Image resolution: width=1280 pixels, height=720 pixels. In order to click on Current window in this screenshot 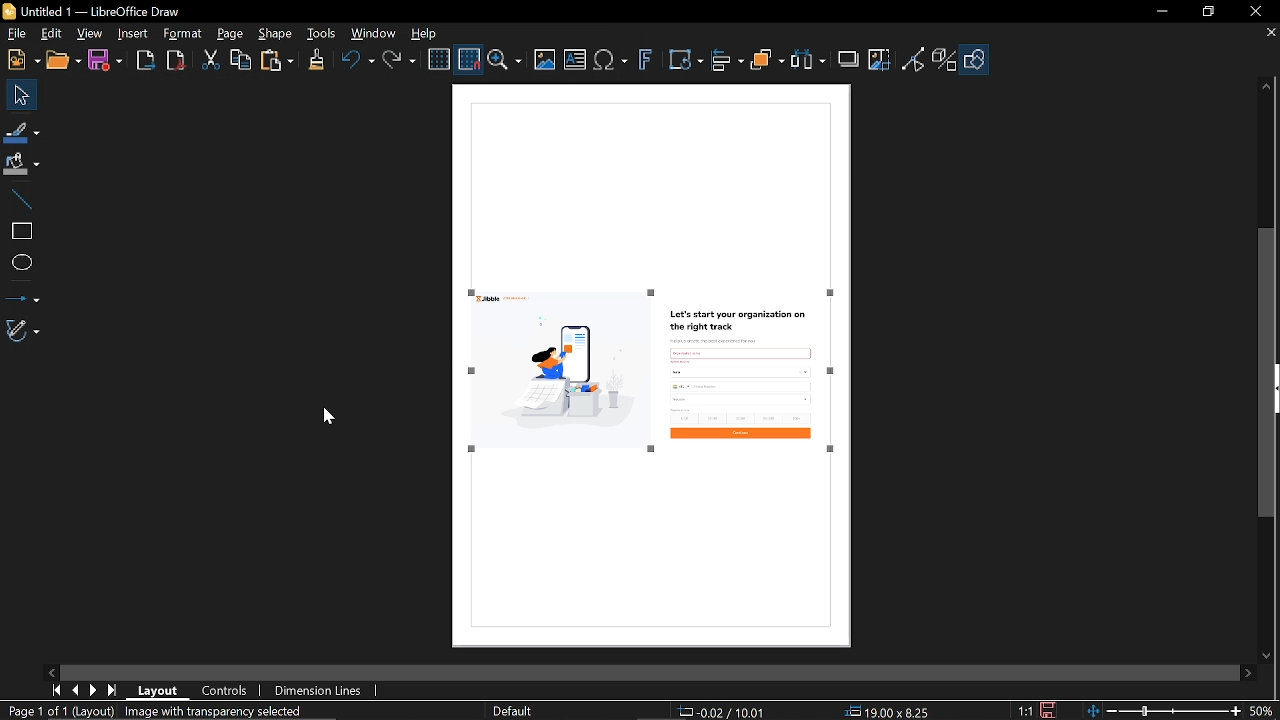, I will do `click(116, 11)`.